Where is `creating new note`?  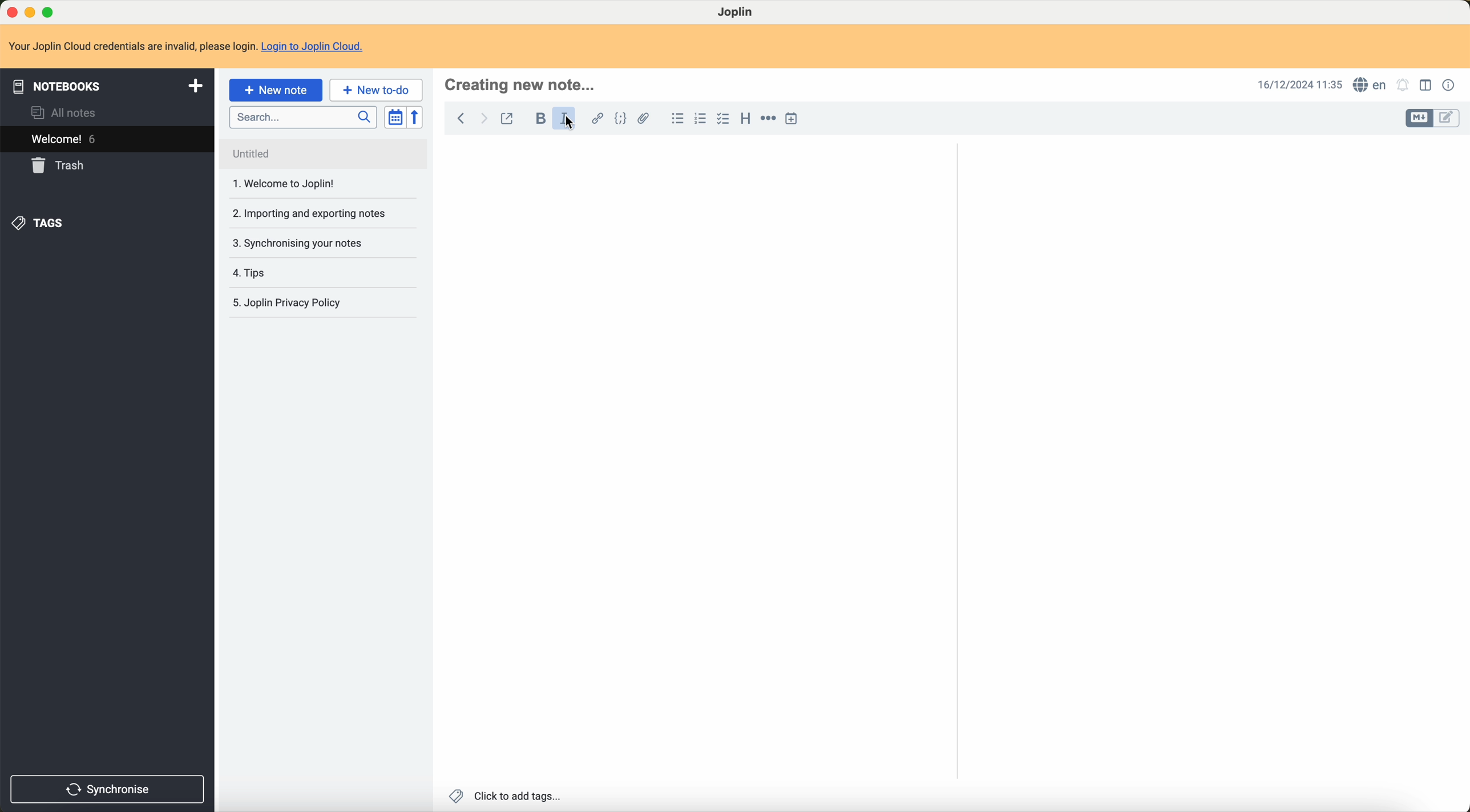
creating new note is located at coordinates (522, 85).